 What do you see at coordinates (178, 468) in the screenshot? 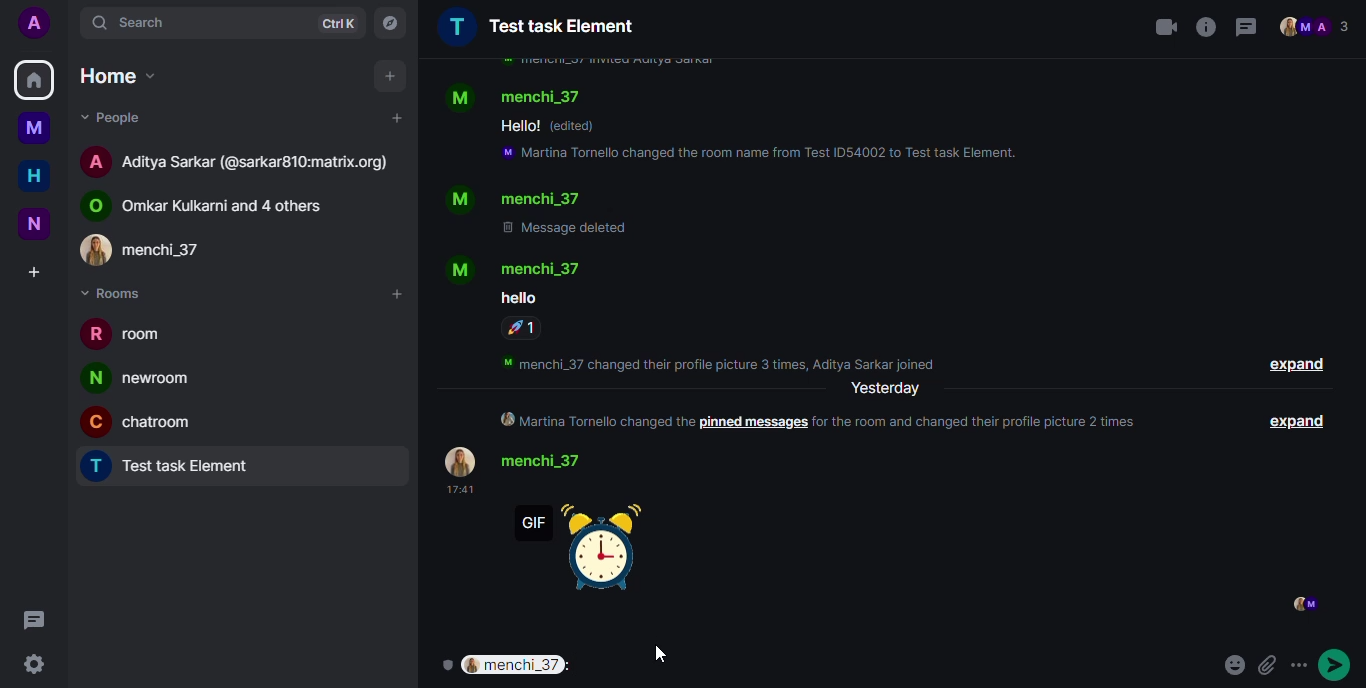
I see `room` at bounding box center [178, 468].